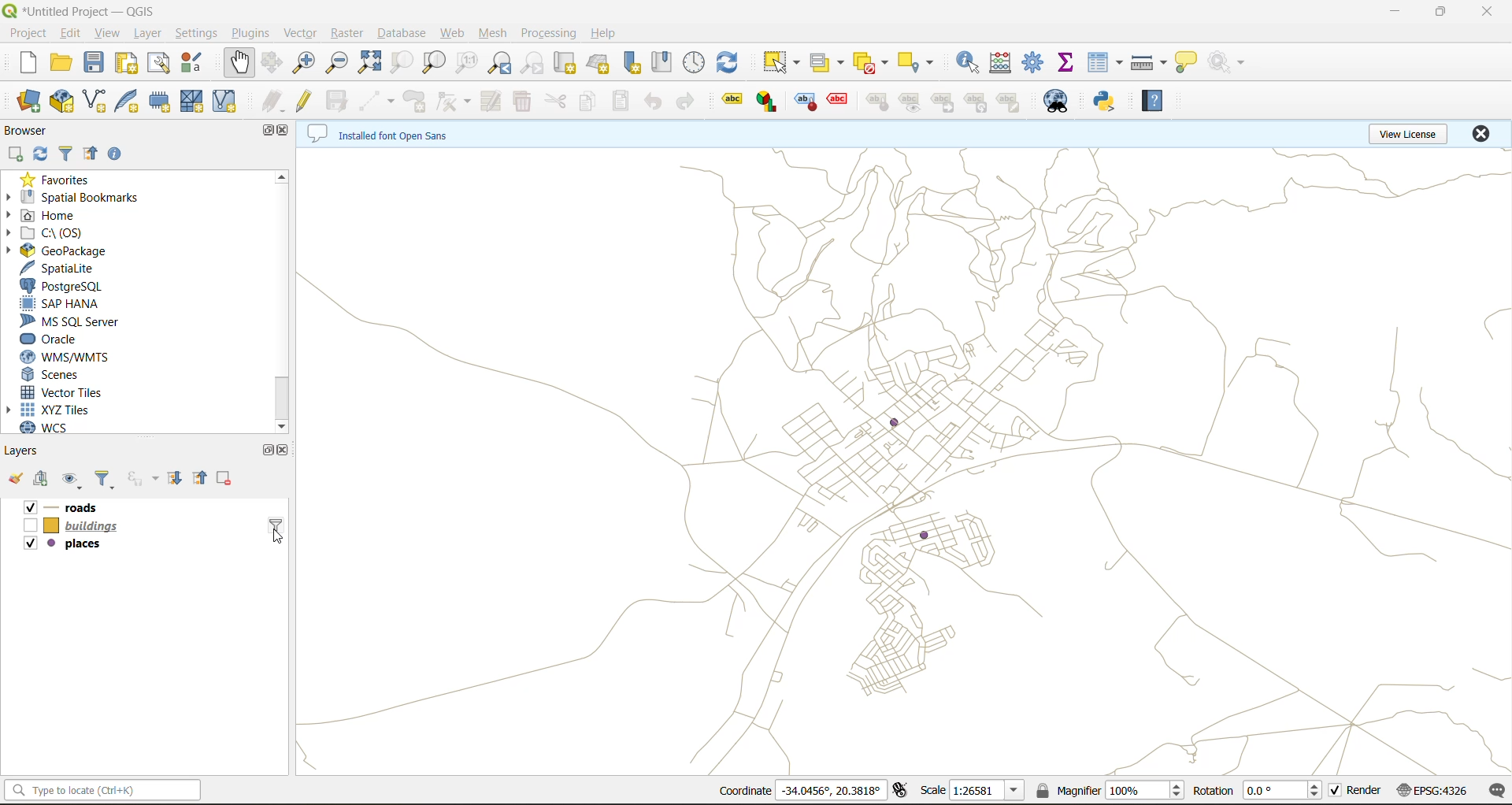  Describe the element at coordinates (84, 198) in the screenshot. I see `spatial bookmarks` at that location.